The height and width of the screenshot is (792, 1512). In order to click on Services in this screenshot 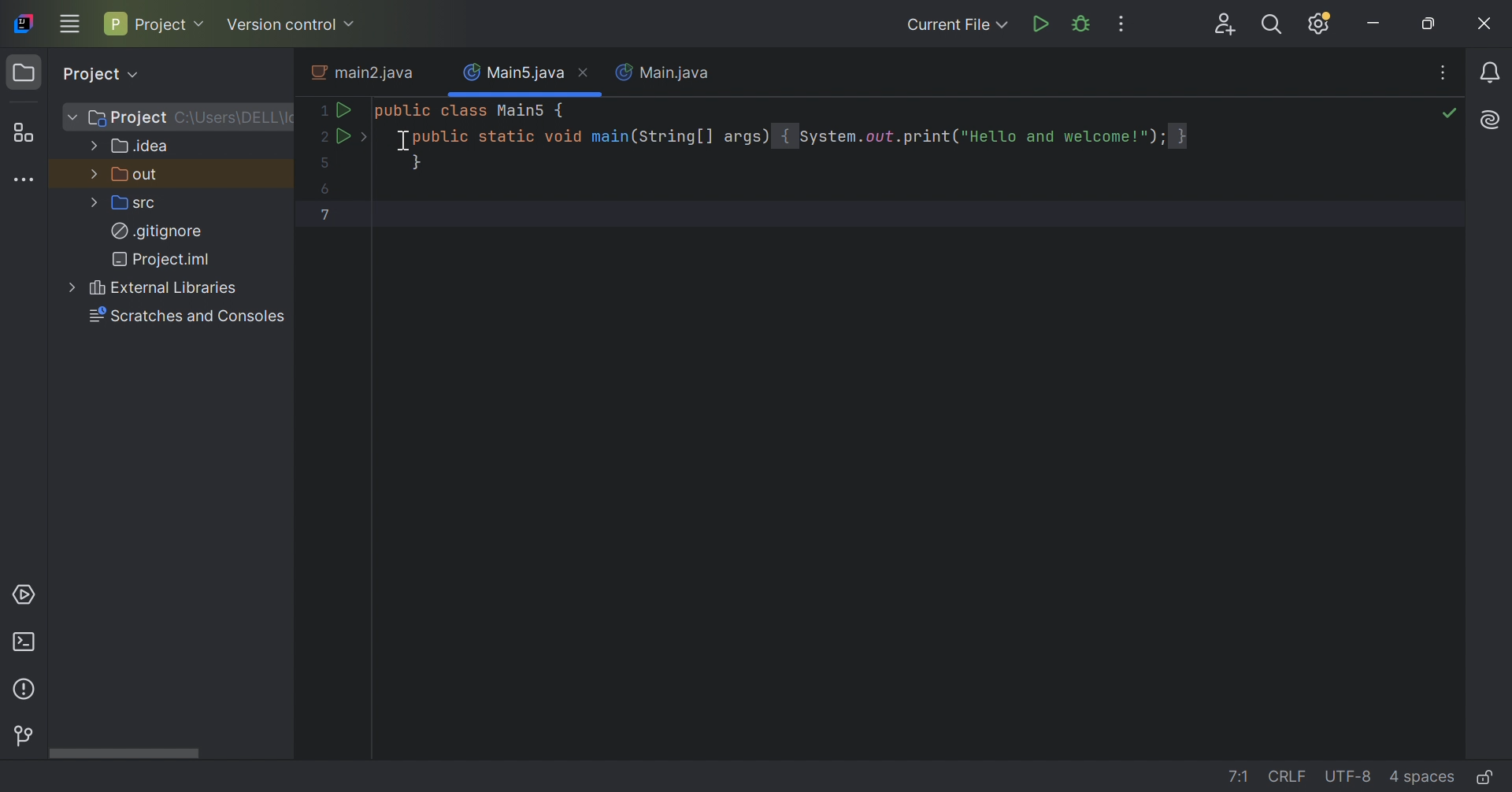, I will do `click(24, 594)`.